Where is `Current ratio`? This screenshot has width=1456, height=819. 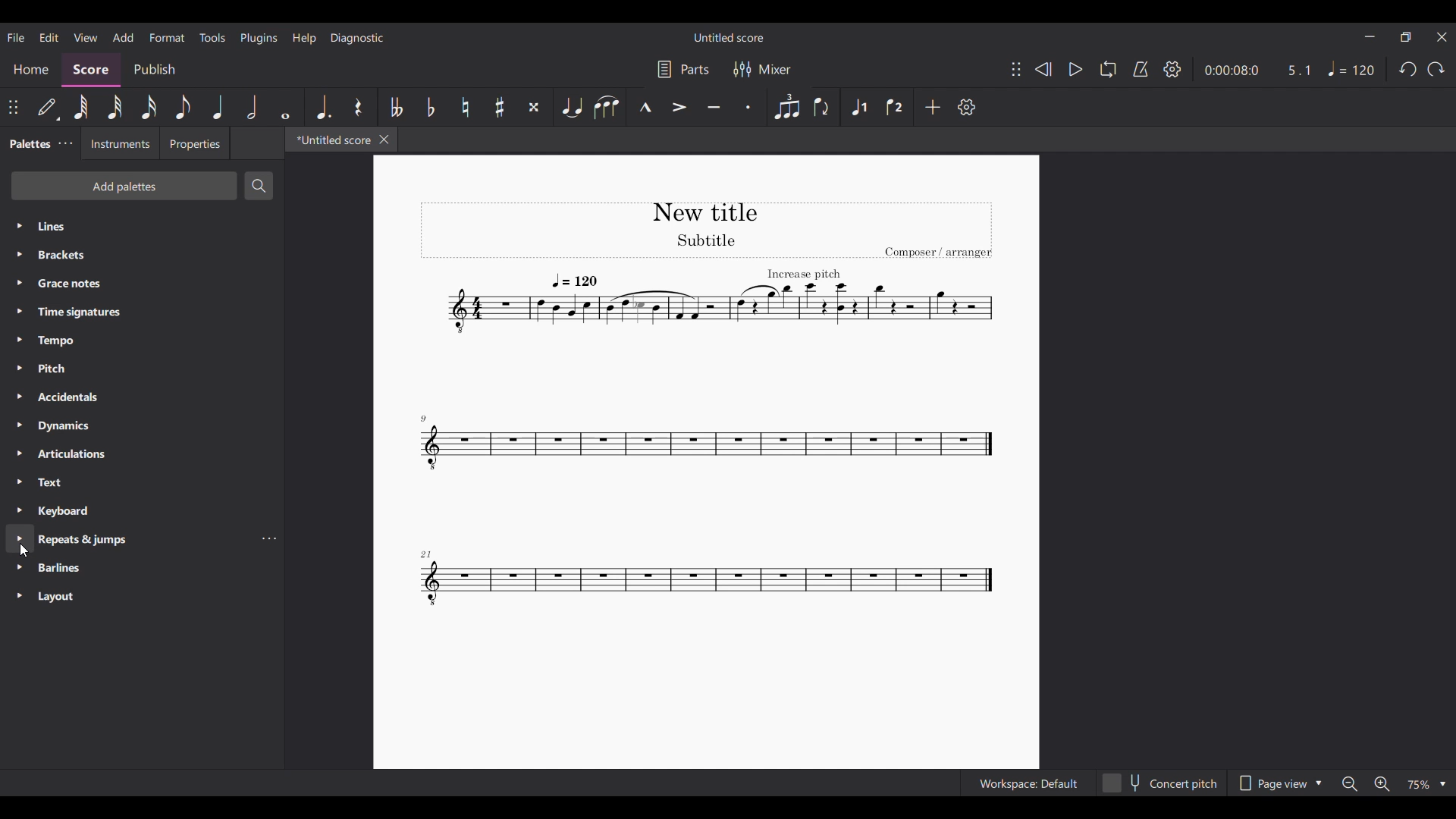 Current ratio is located at coordinates (1298, 71).